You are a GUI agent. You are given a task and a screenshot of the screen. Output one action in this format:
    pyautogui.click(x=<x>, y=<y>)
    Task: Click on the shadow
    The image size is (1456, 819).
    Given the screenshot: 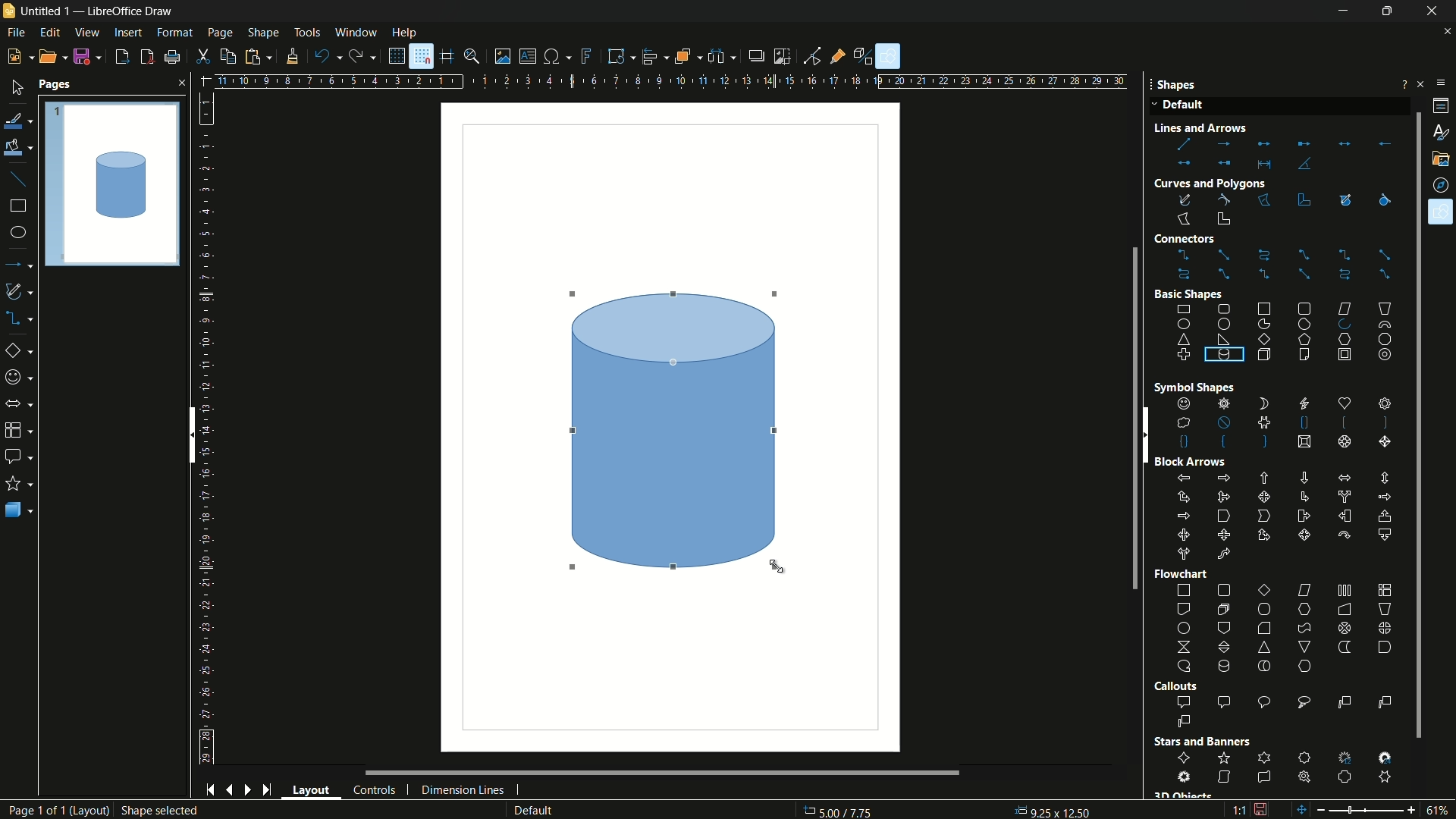 What is the action you would take?
    pyautogui.click(x=755, y=55)
    